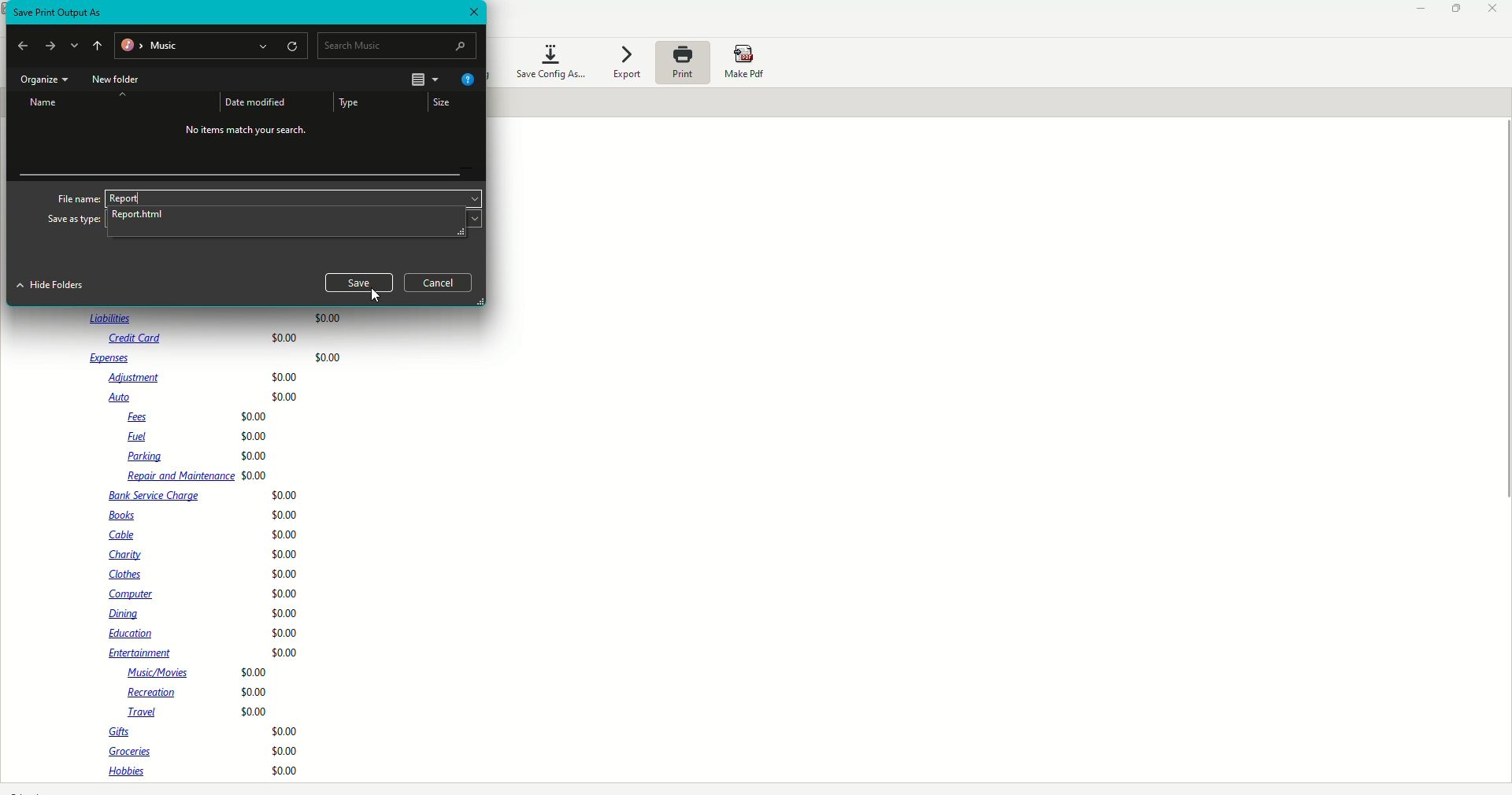 The image size is (1512, 795). Describe the element at coordinates (1458, 8) in the screenshot. I see `Restore` at that location.